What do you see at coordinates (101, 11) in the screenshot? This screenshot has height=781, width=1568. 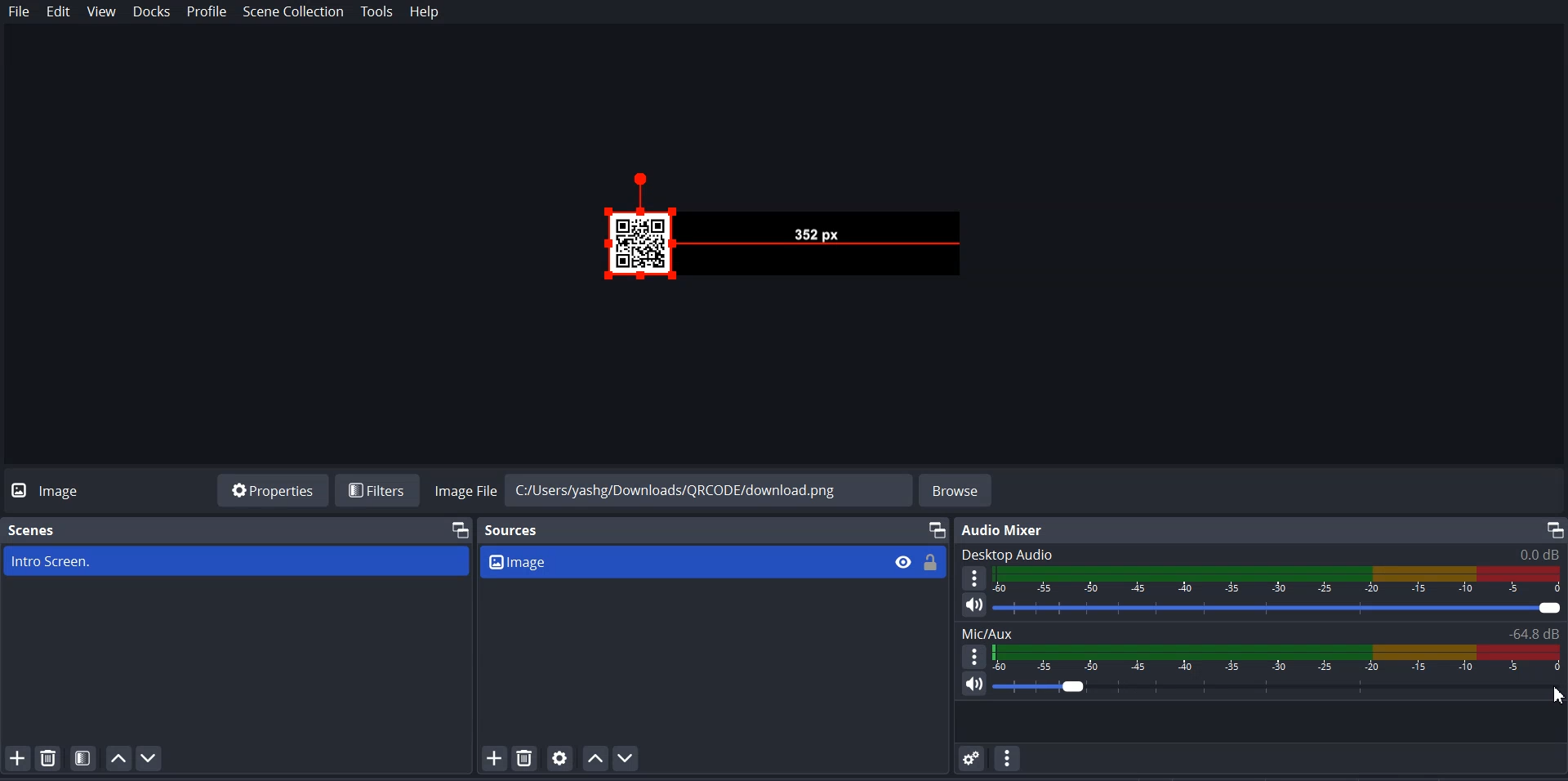 I see `View` at bounding box center [101, 11].